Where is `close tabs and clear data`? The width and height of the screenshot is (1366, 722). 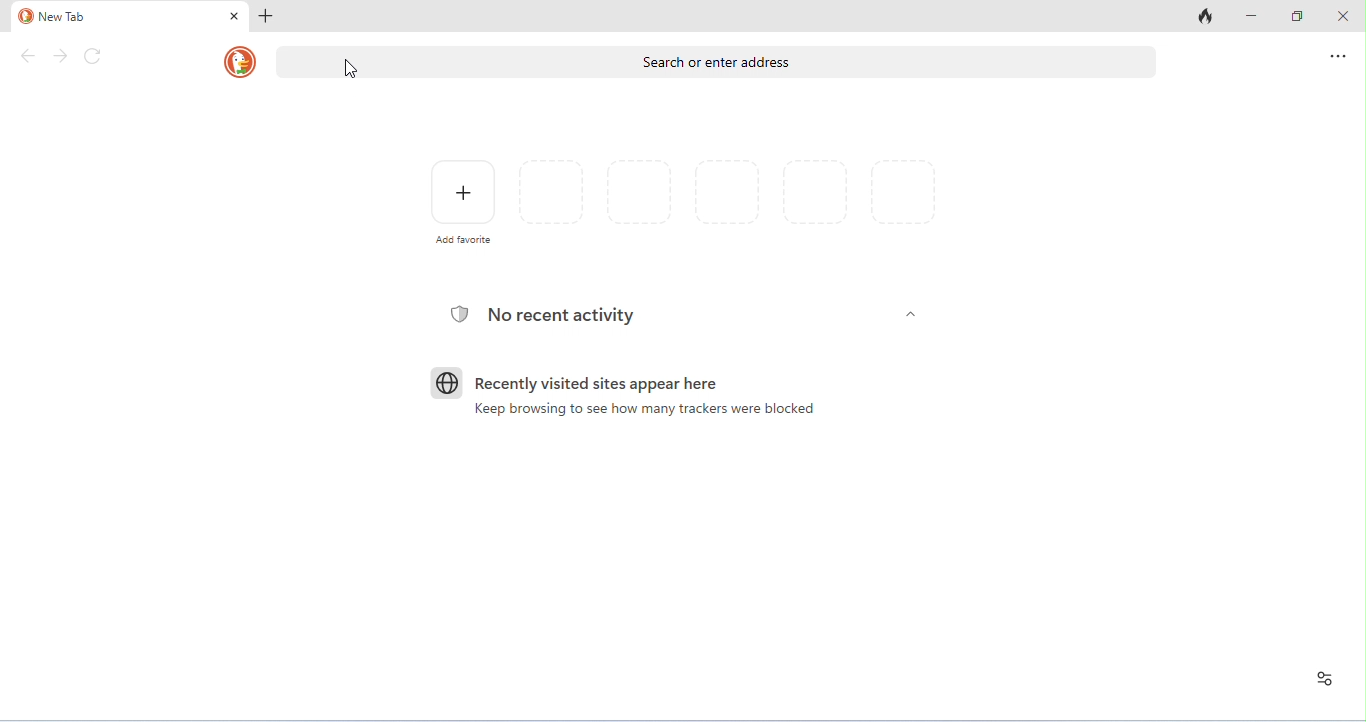
close tabs and clear data is located at coordinates (1206, 15).